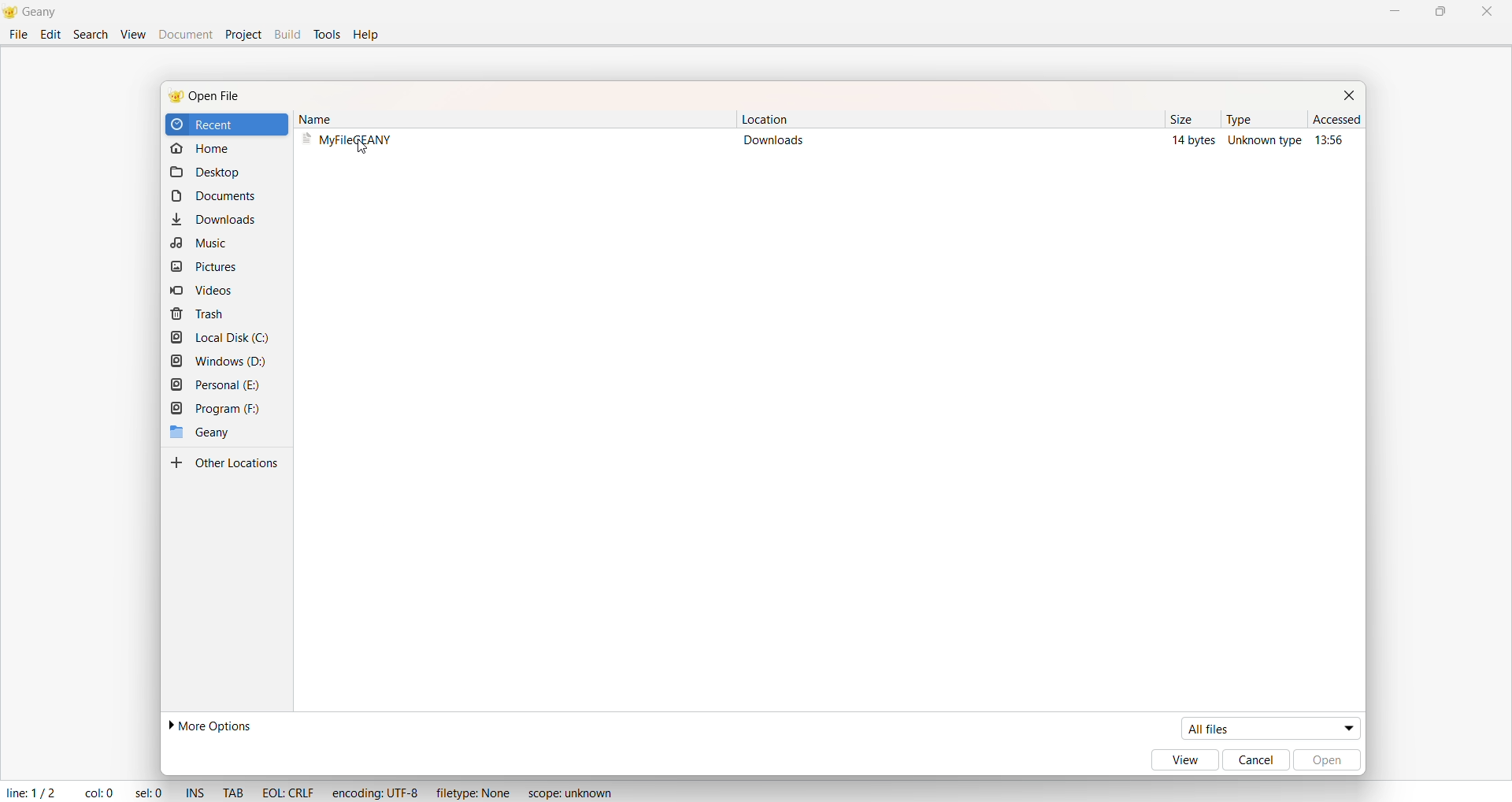  What do you see at coordinates (1186, 141) in the screenshot?
I see `14 bytes` at bounding box center [1186, 141].